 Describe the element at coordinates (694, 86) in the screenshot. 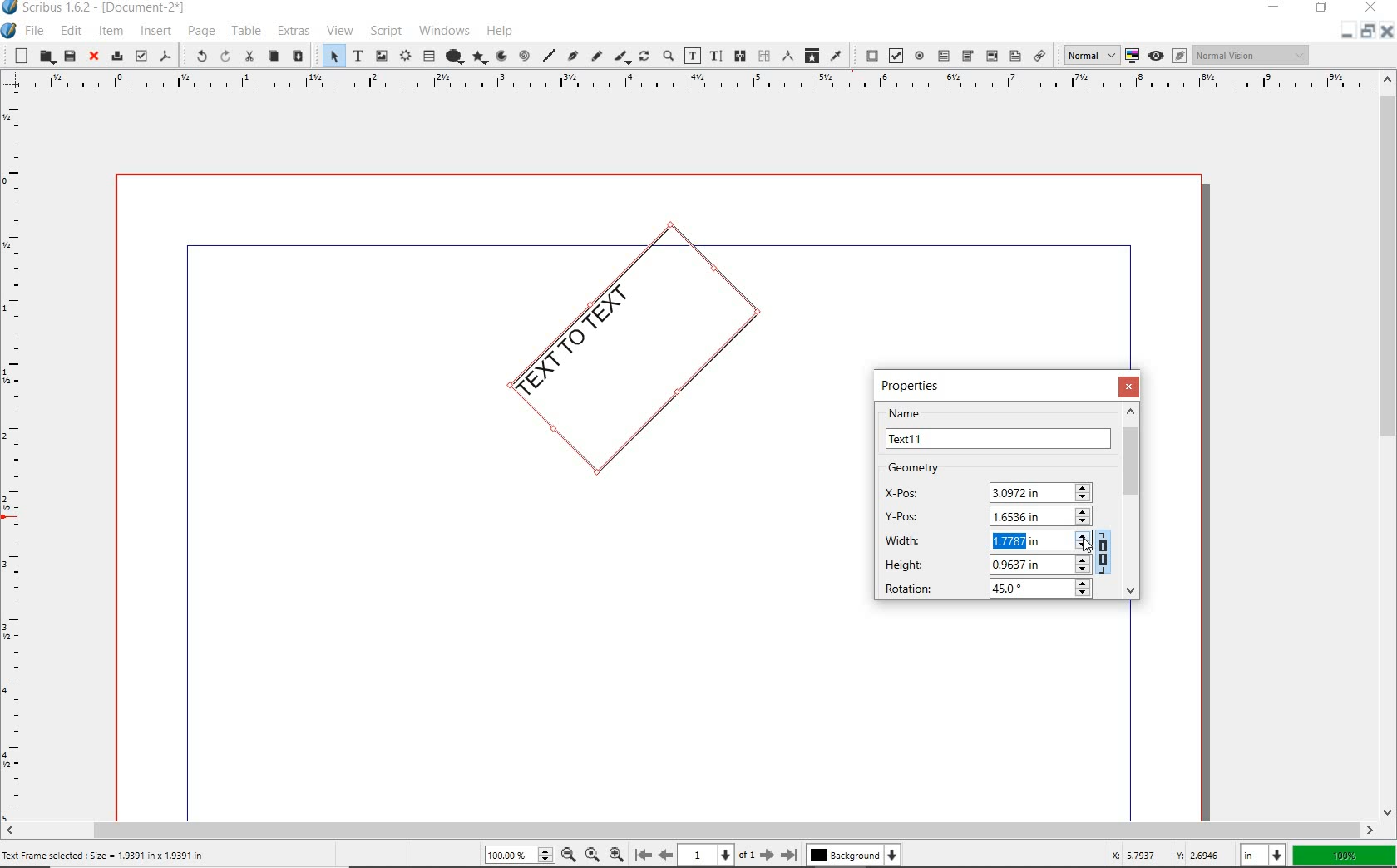

I see `ruler` at that location.